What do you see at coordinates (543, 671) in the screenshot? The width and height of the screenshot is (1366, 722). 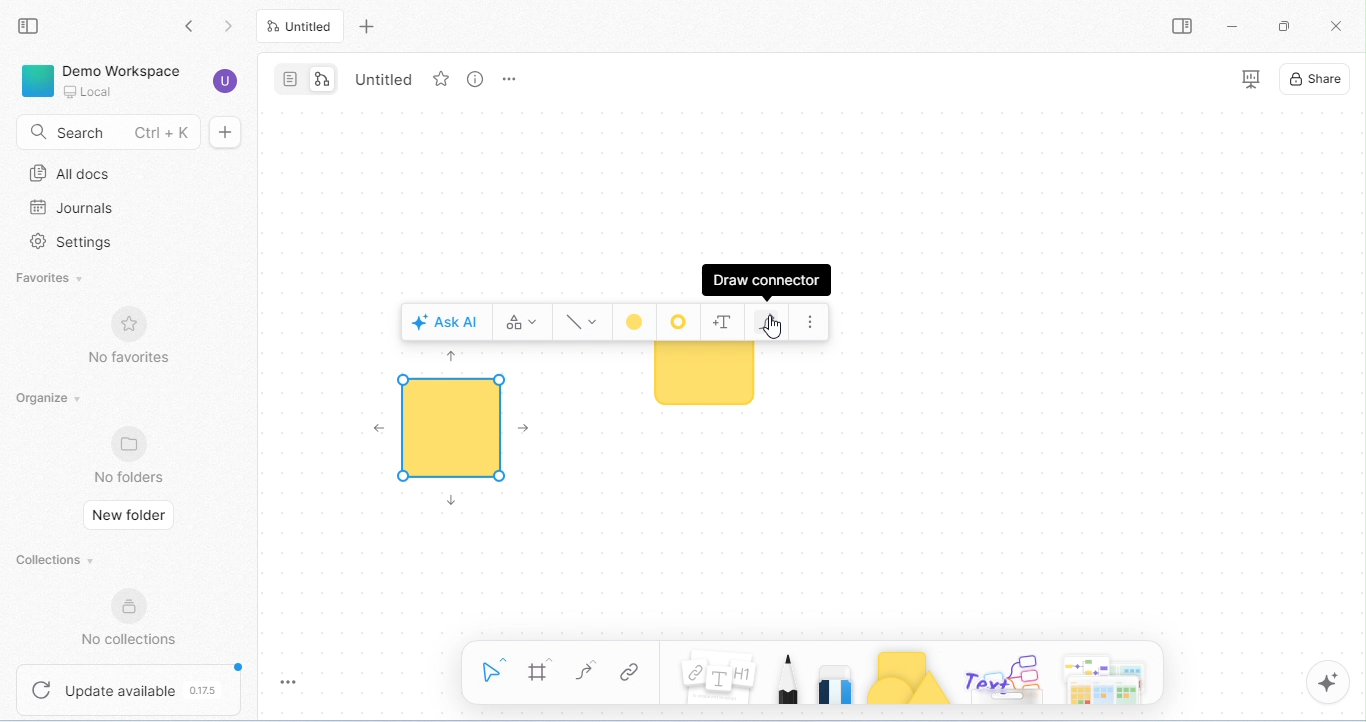 I see `frame` at bounding box center [543, 671].